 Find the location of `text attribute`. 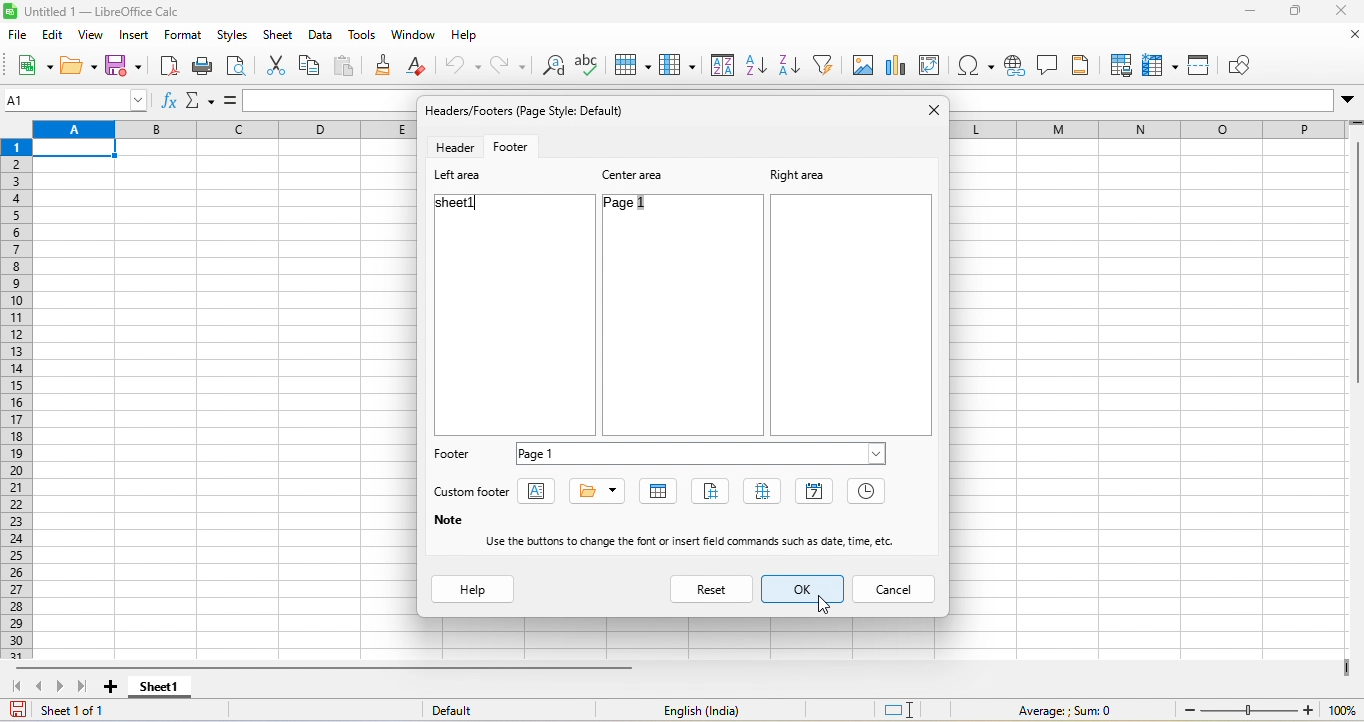

text attribute is located at coordinates (542, 493).